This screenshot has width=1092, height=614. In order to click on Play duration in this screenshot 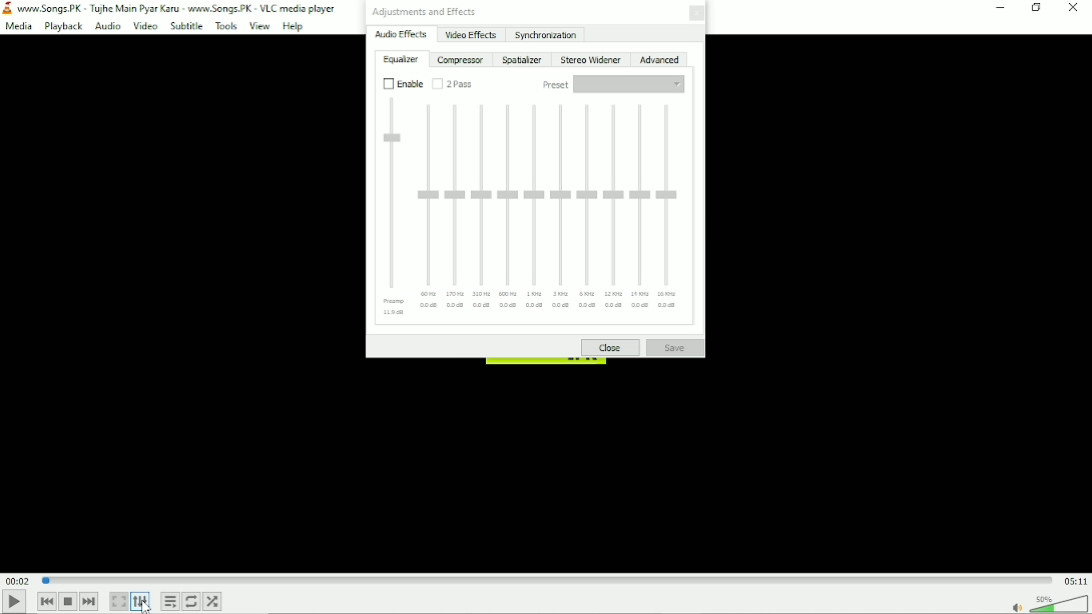, I will do `click(550, 580)`.